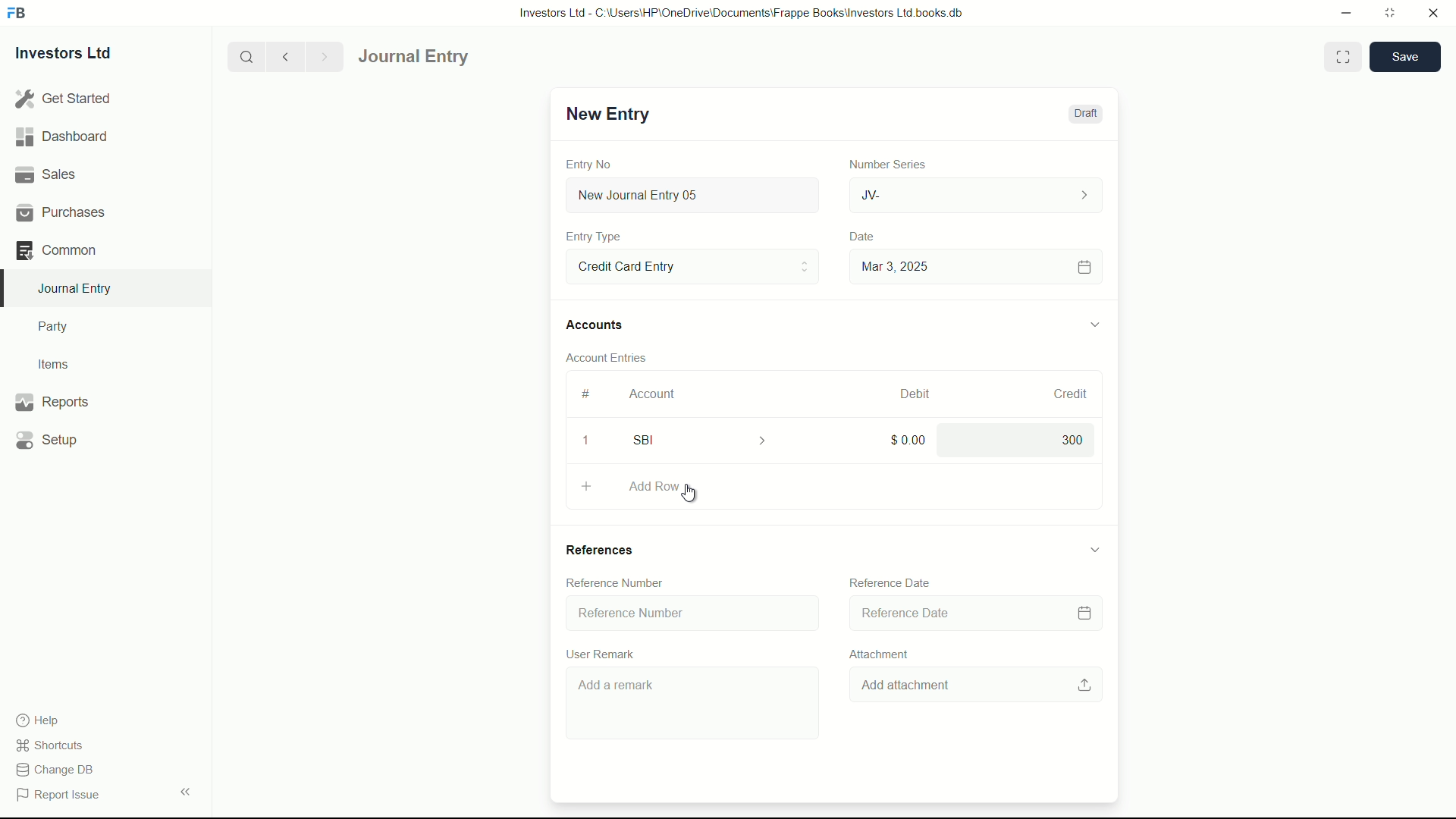  I want to click on Mar 3, 2025, so click(974, 266).